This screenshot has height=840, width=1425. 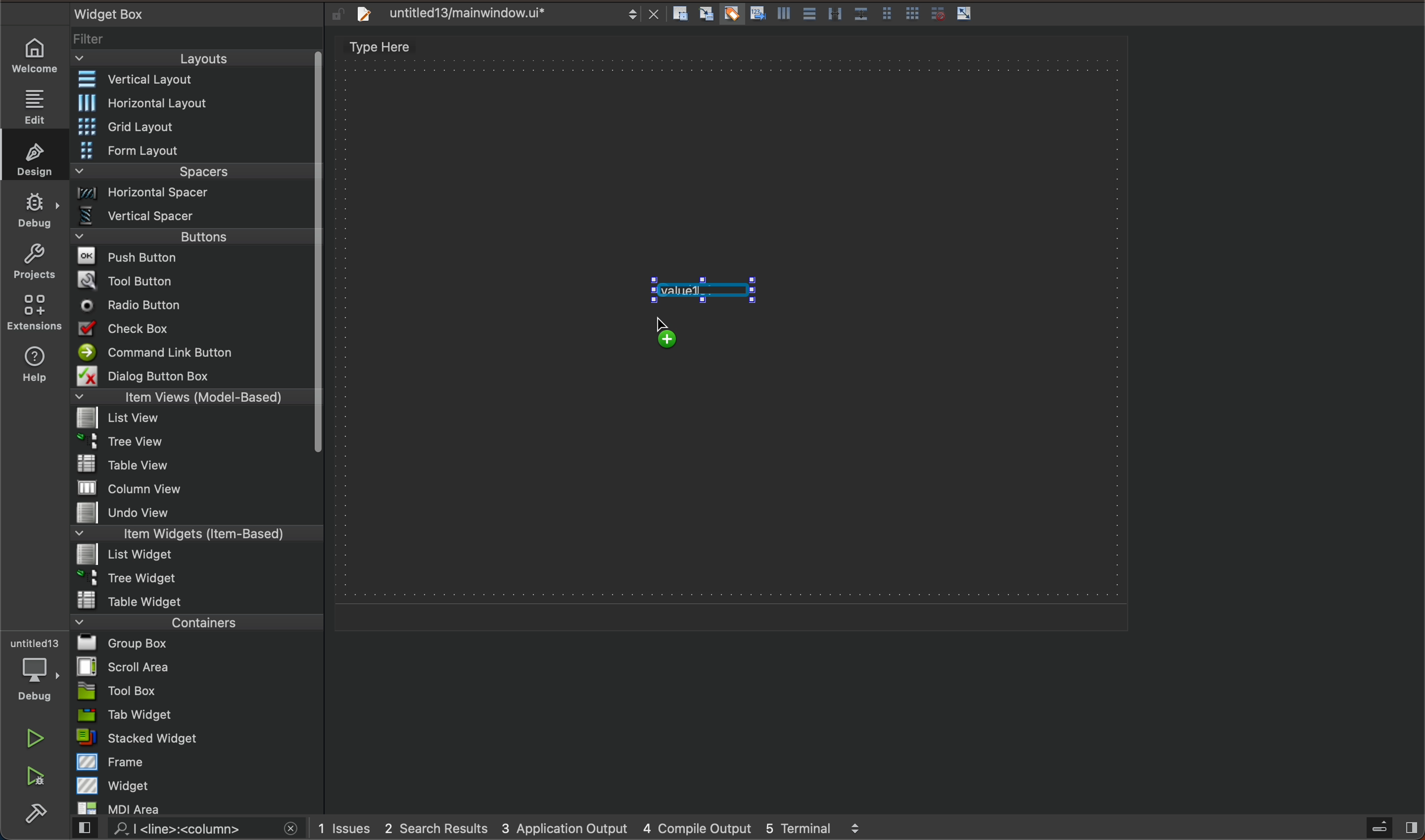 I want to click on run and debug, so click(x=37, y=778).